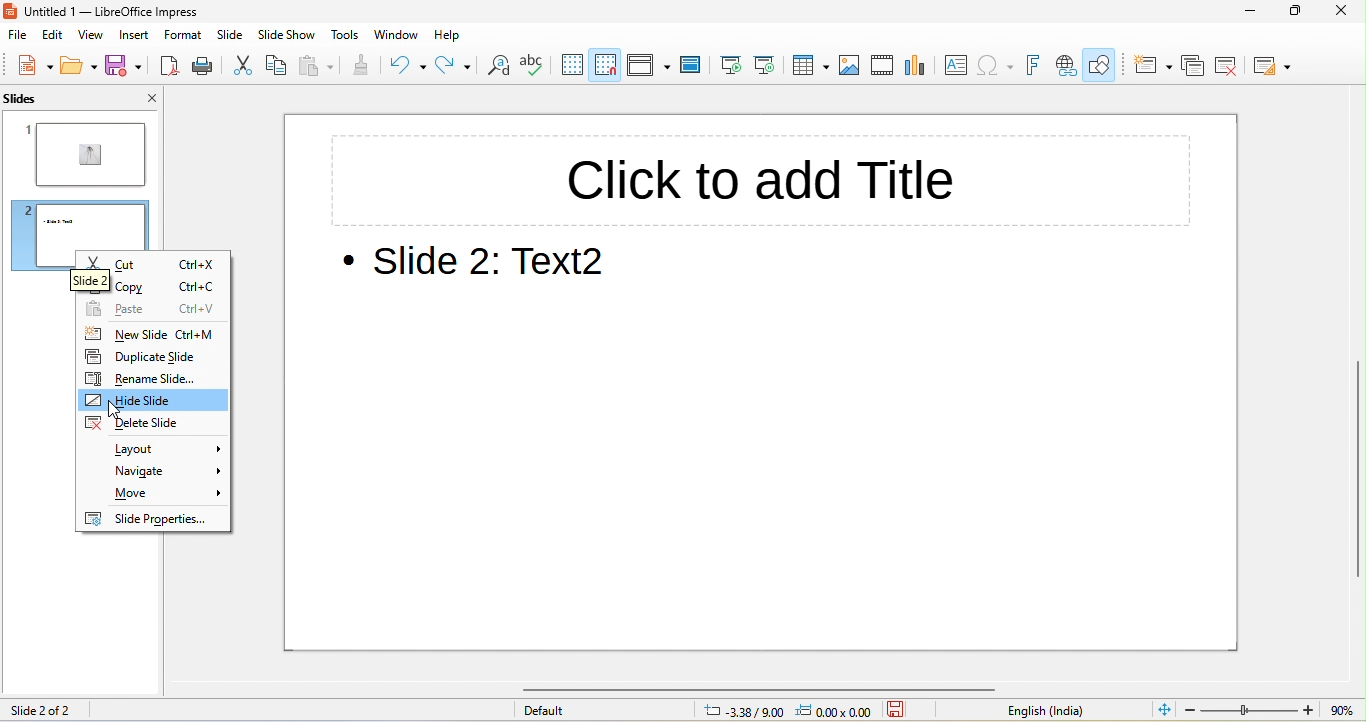 The image size is (1366, 722). I want to click on ctrl+m, so click(197, 336).